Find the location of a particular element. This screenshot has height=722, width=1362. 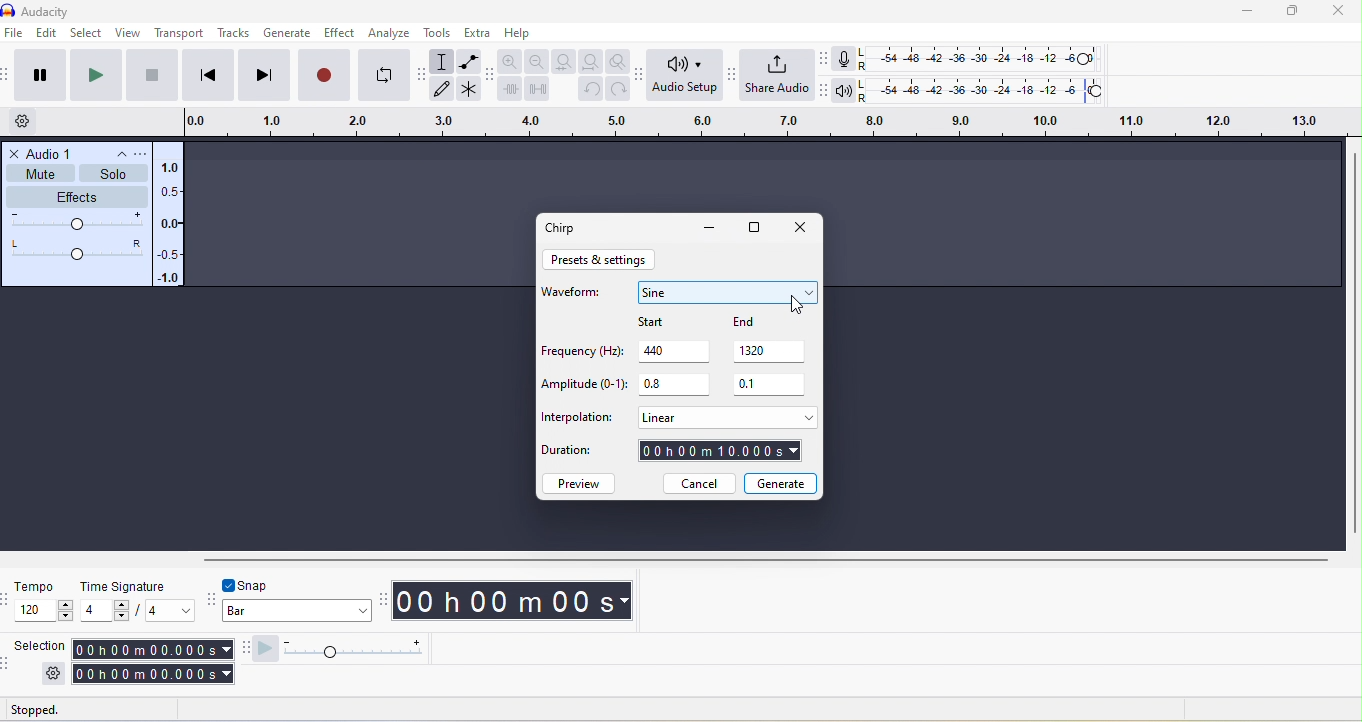

waveform: is located at coordinates (576, 297).